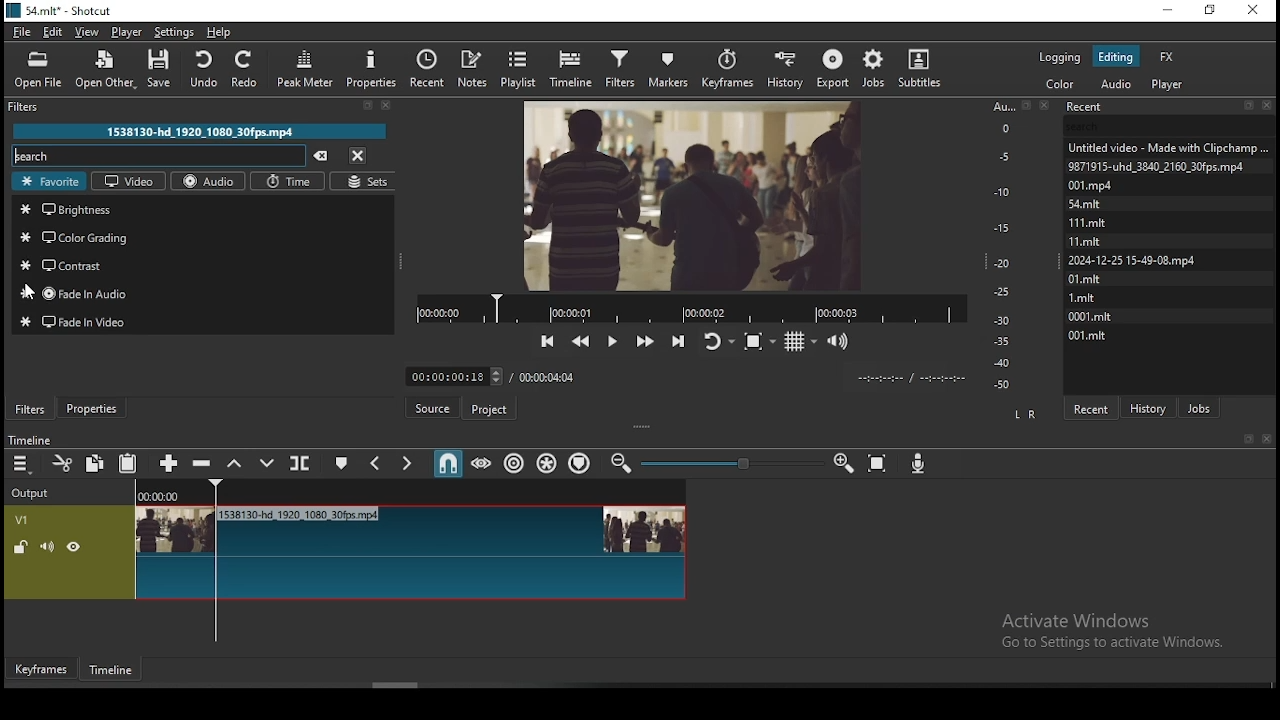 The height and width of the screenshot is (720, 1280). What do you see at coordinates (246, 71) in the screenshot?
I see `redo` at bounding box center [246, 71].